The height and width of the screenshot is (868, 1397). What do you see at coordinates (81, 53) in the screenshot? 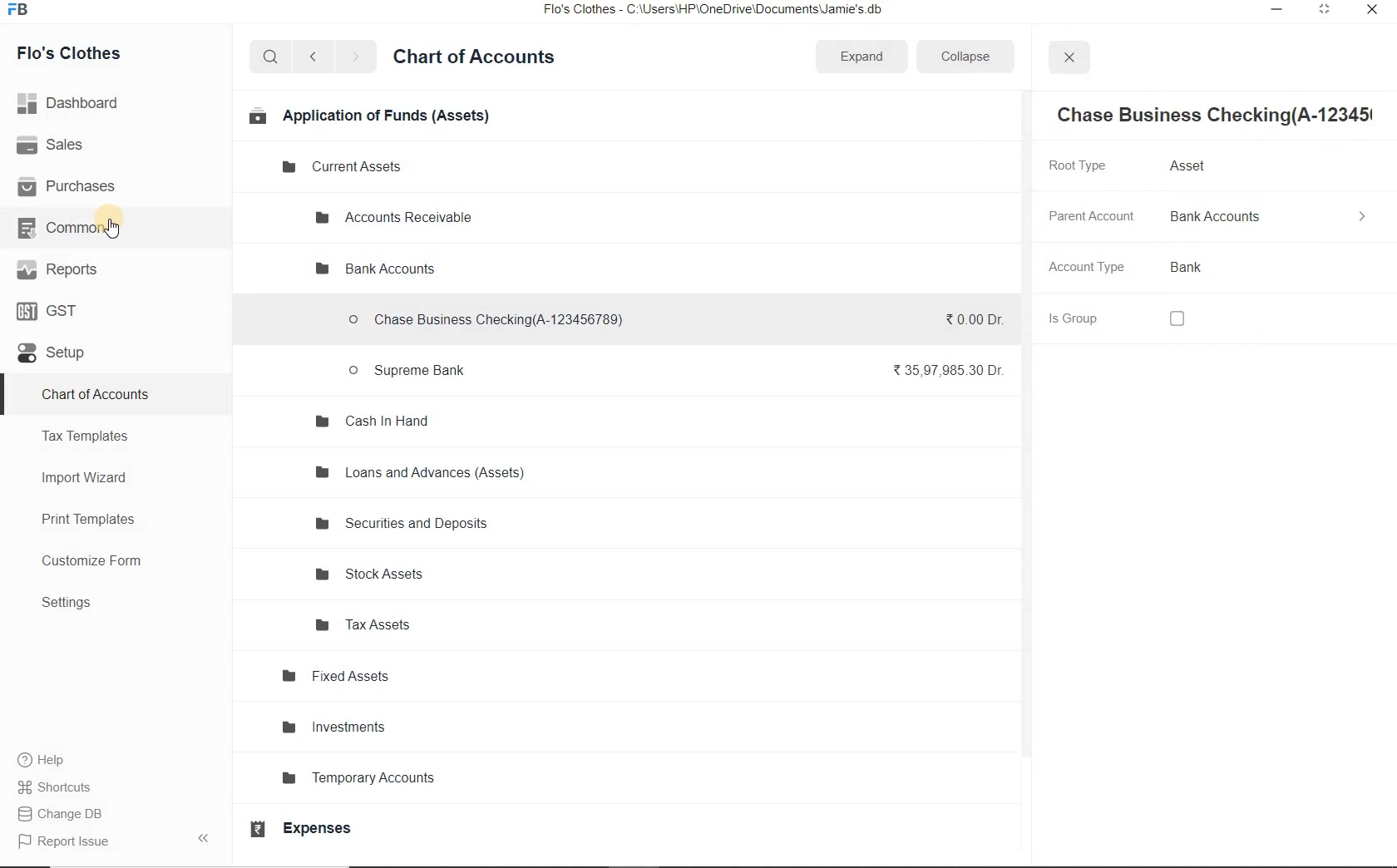
I see `Flo's Clothes` at bounding box center [81, 53].